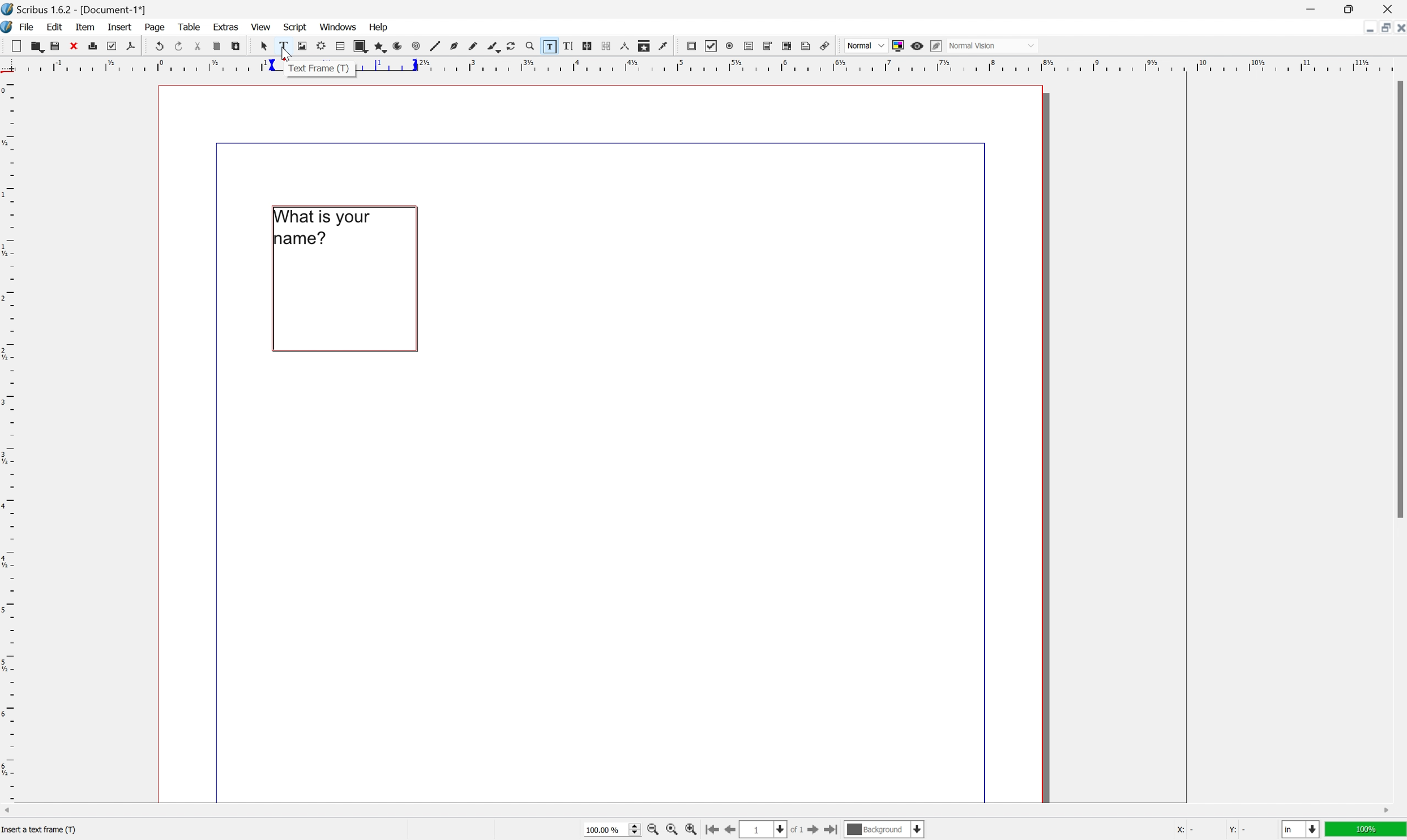 This screenshot has height=840, width=1407. I want to click on pdf combo box, so click(767, 45).